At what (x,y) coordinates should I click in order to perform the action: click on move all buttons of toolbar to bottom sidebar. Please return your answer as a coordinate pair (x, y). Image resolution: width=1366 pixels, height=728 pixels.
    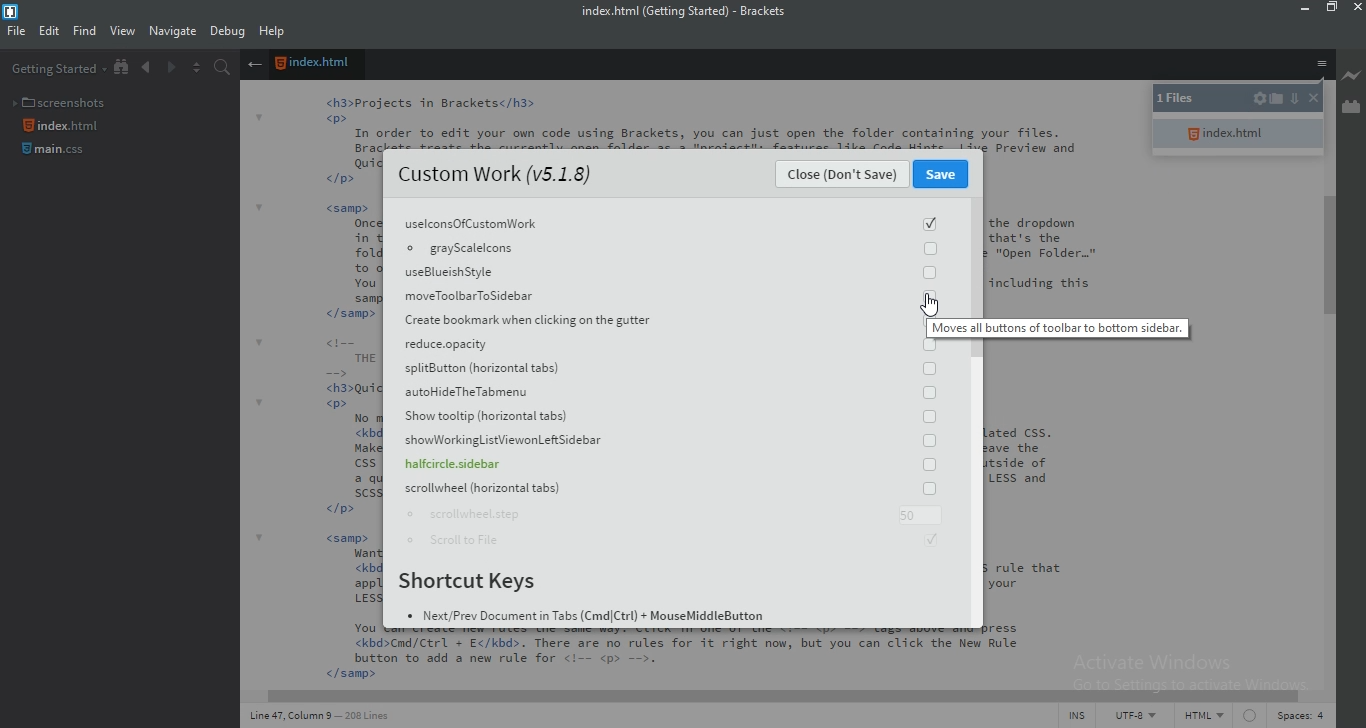
    Looking at the image, I should click on (1059, 328).